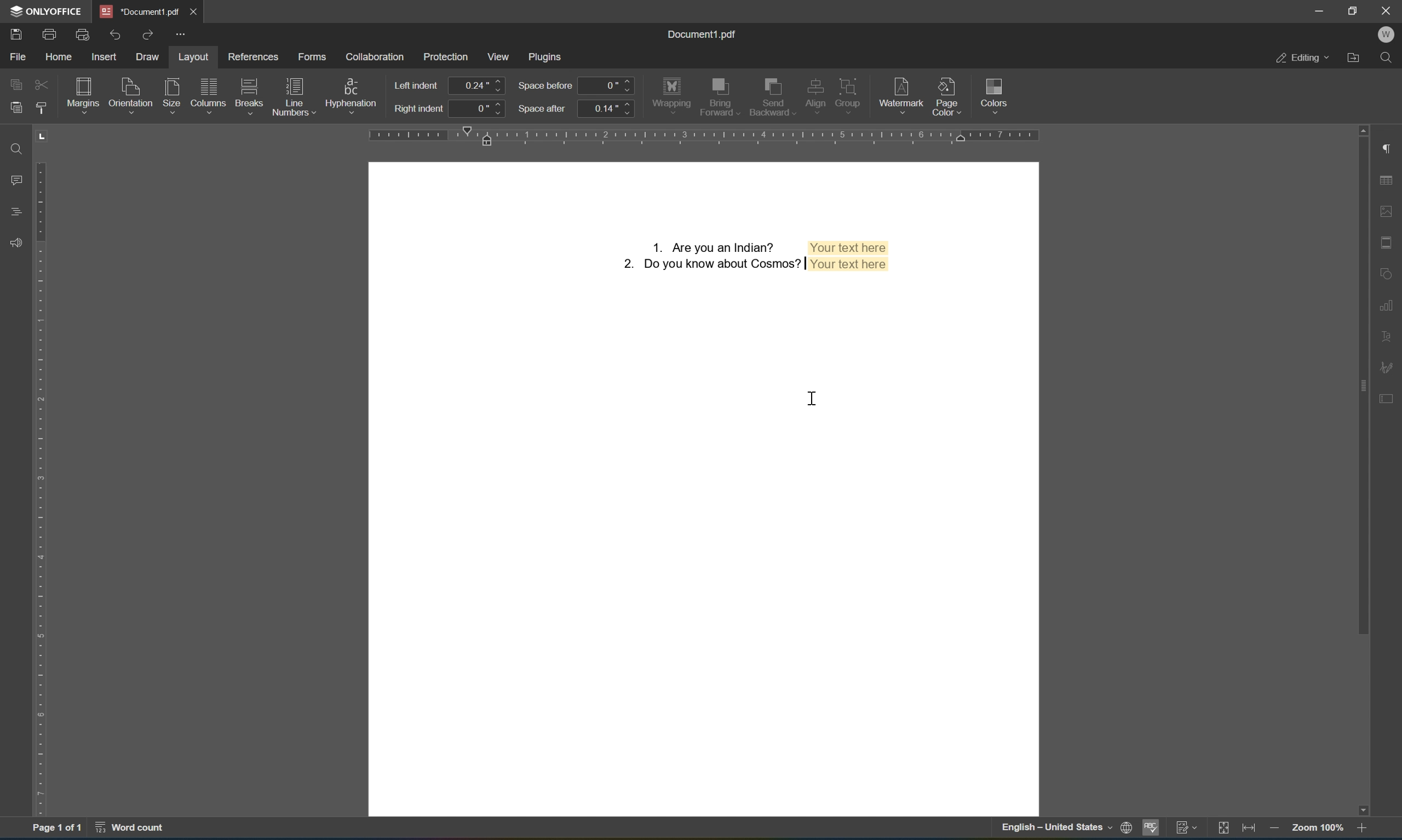 This screenshot has width=1402, height=840. I want to click on forms, so click(315, 59).